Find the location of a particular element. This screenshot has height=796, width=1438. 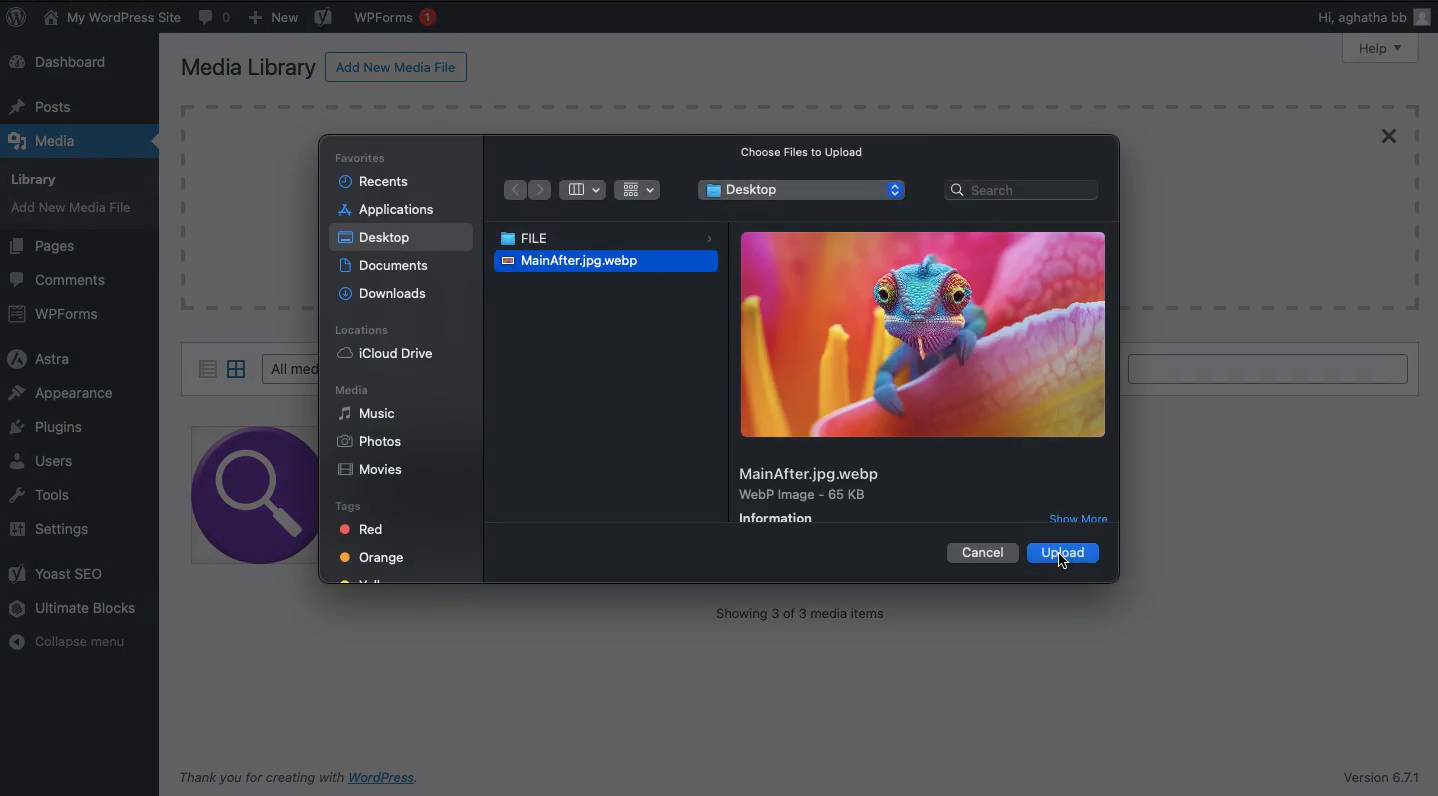

Media library is located at coordinates (249, 70).